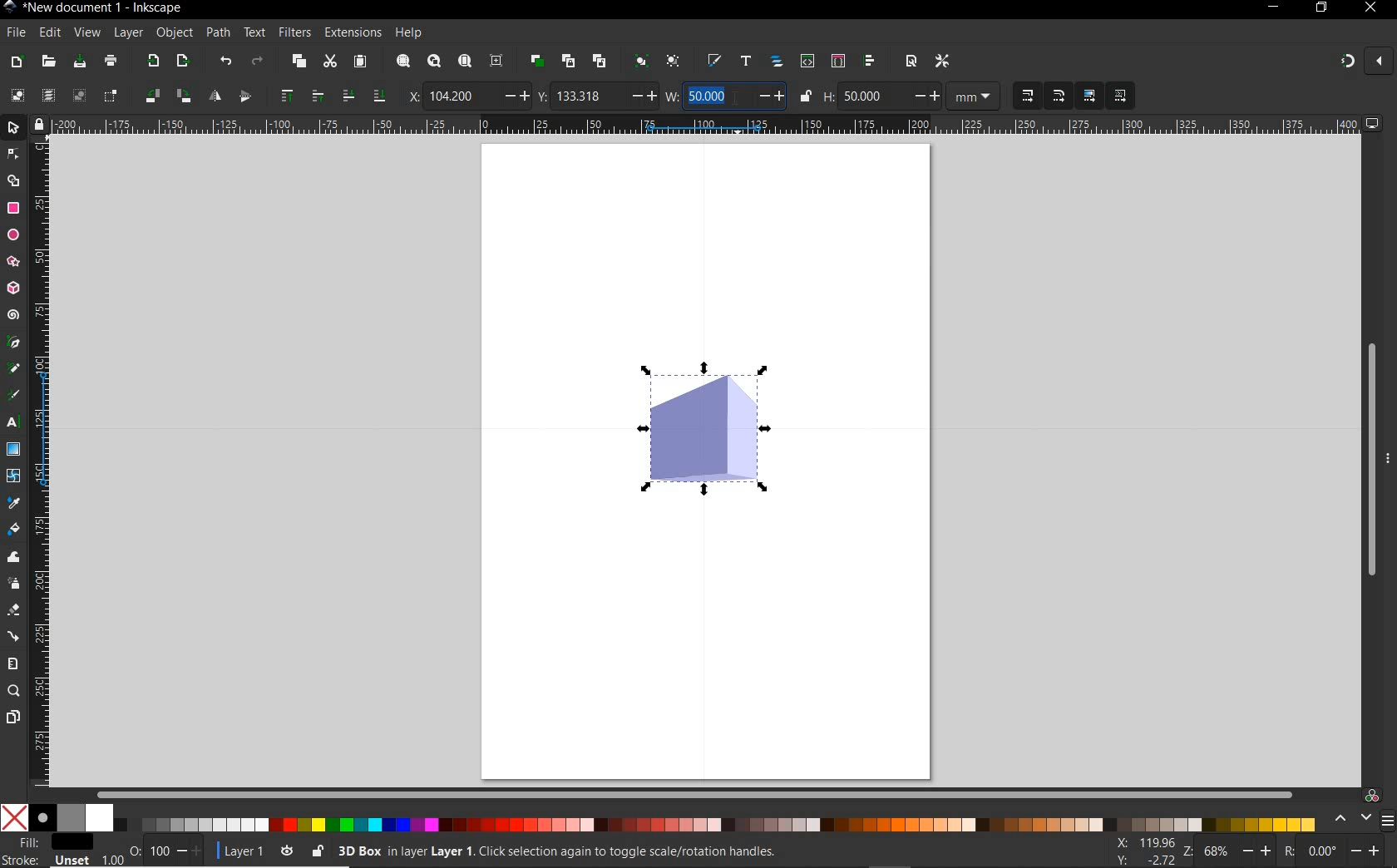 This screenshot has width=1397, height=868. Describe the element at coordinates (128, 33) in the screenshot. I see `layer` at that location.